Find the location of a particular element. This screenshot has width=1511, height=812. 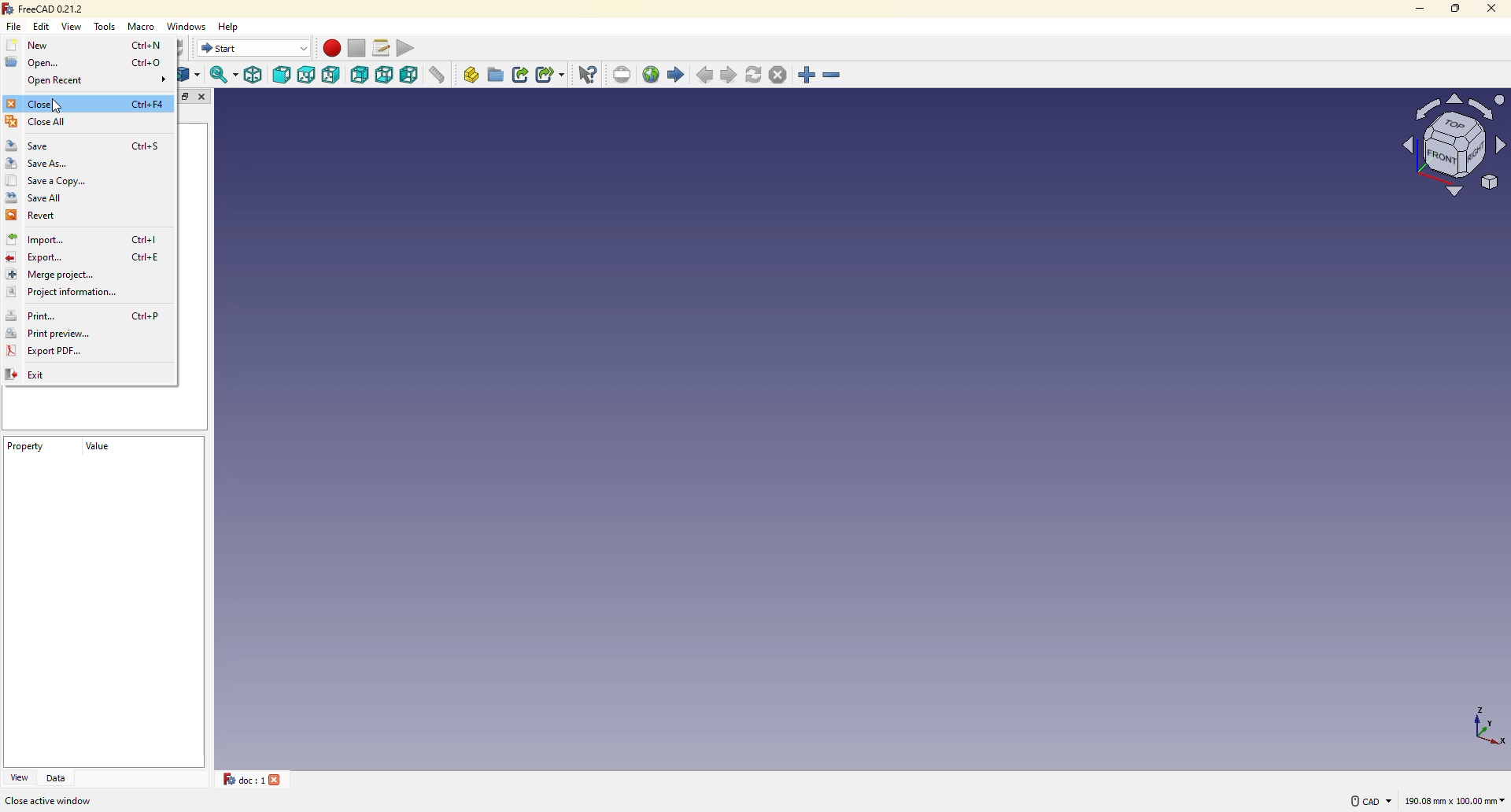

top is located at coordinates (307, 76).